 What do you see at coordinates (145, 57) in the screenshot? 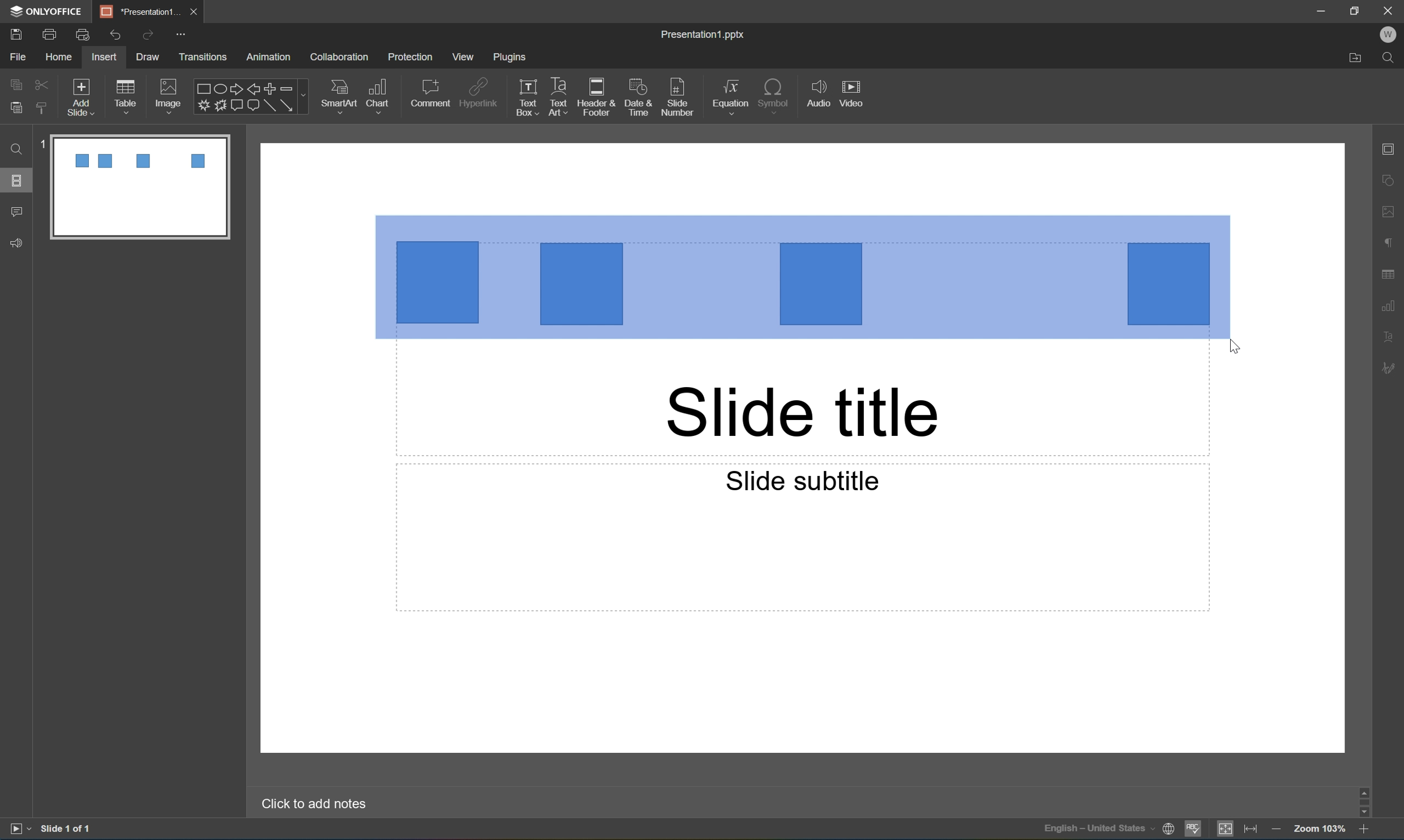
I see `draw` at bounding box center [145, 57].